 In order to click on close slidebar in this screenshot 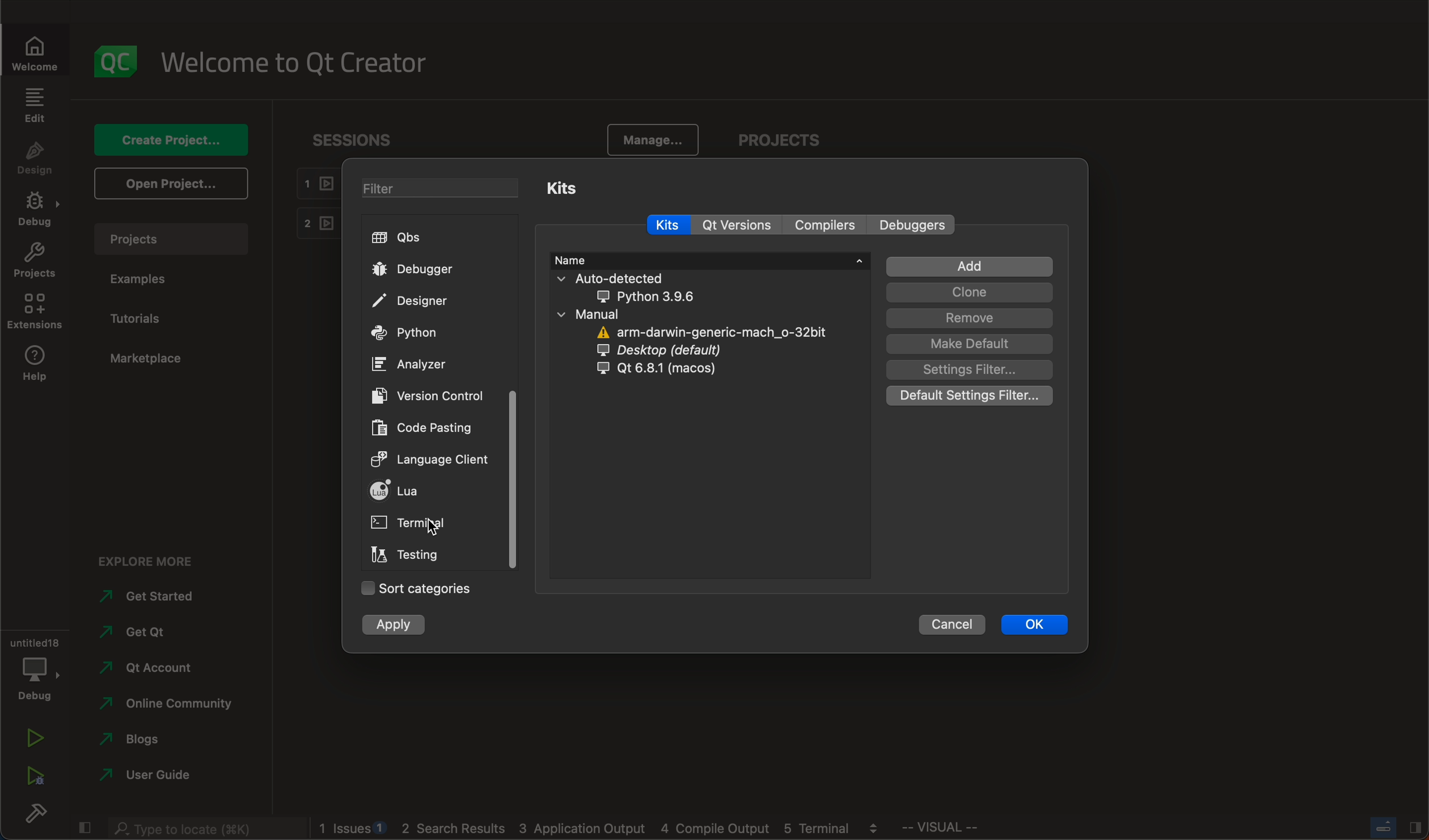, I will do `click(1390, 829)`.